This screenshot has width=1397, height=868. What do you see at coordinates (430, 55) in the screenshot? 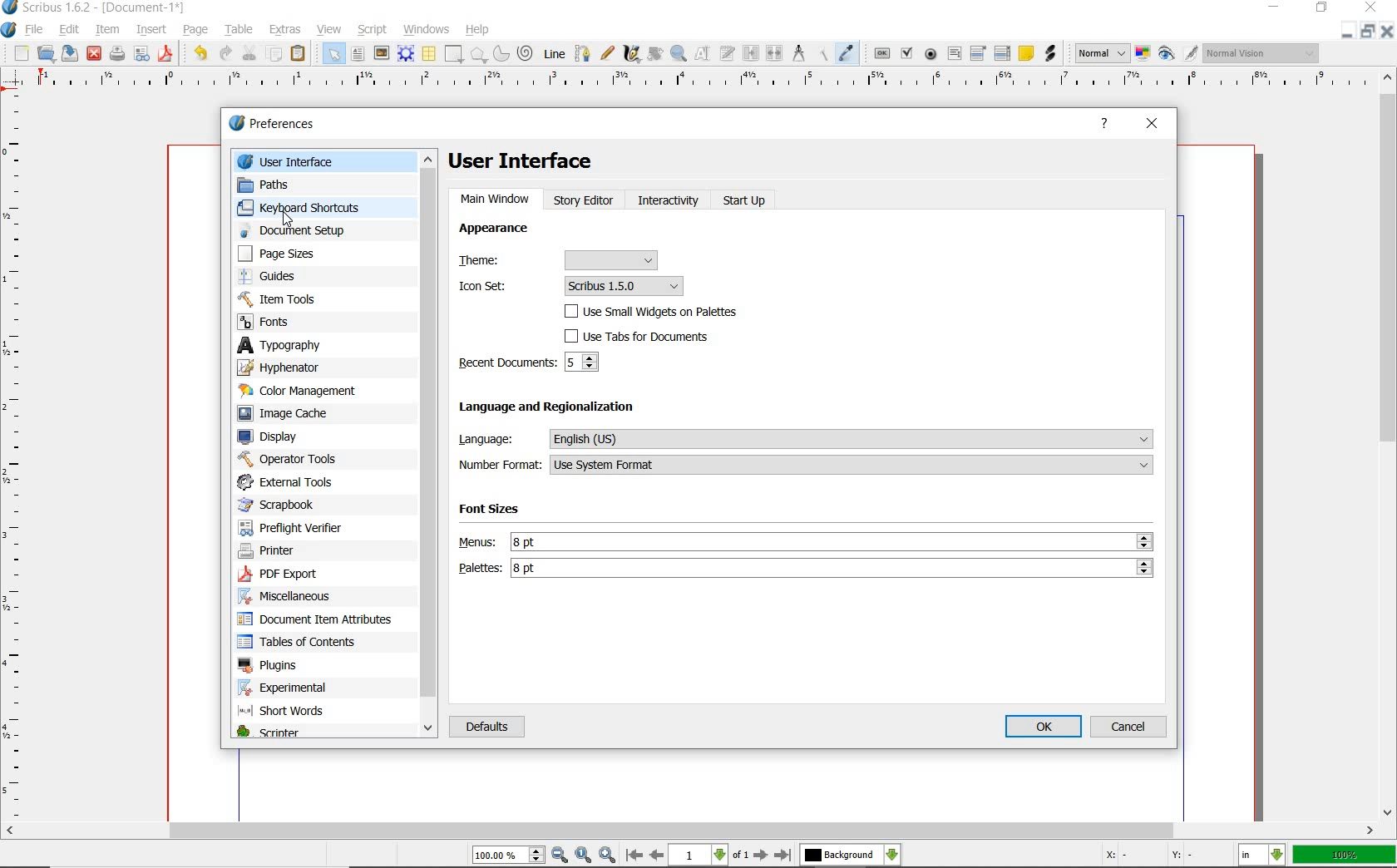
I see `table` at bounding box center [430, 55].